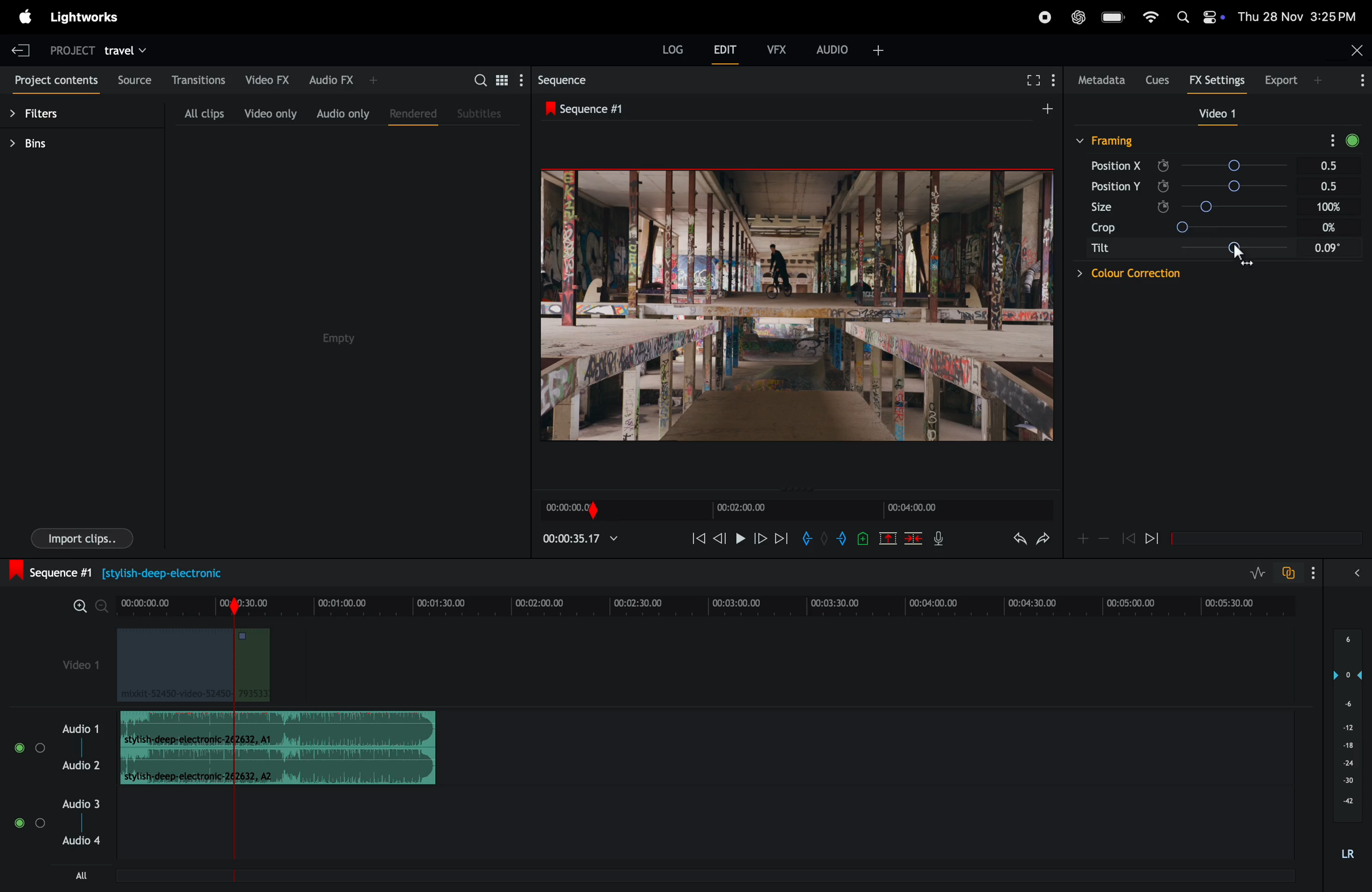 The height and width of the screenshot is (892, 1372). I want to click on meta data, so click(1100, 81).